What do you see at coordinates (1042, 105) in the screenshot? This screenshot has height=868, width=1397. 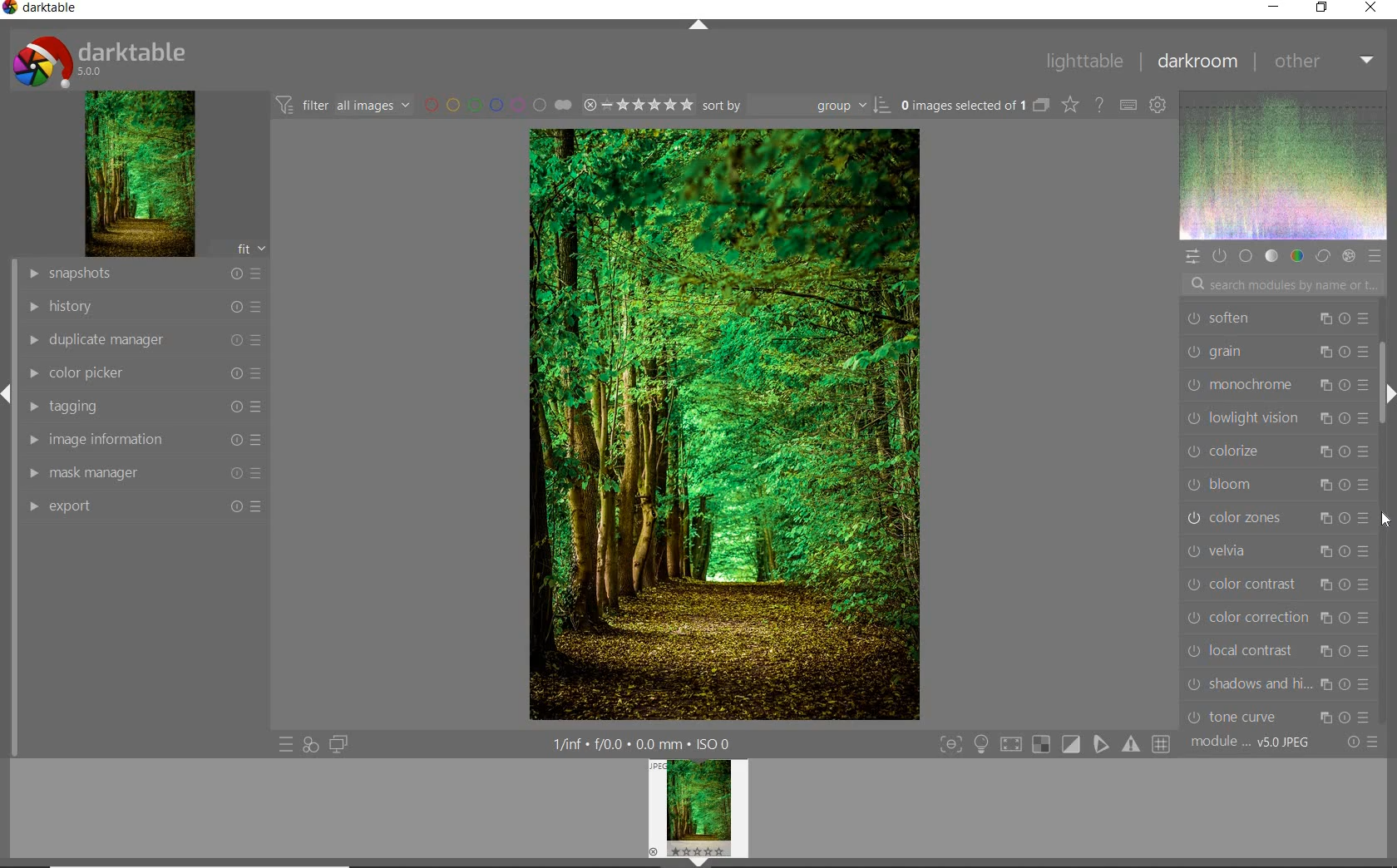 I see `COLLAPSE GROUPED IMAGES` at bounding box center [1042, 105].